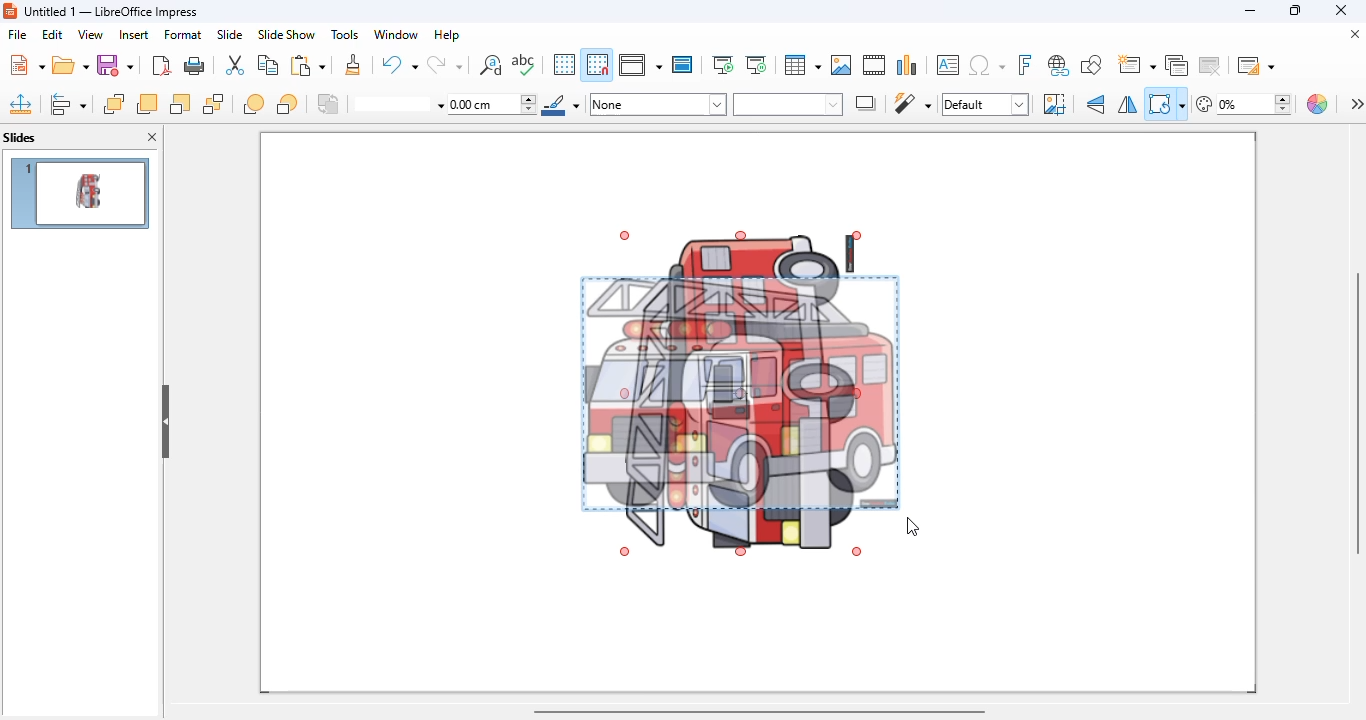  Describe the element at coordinates (116, 65) in the screenshot. I see `save` at that location.